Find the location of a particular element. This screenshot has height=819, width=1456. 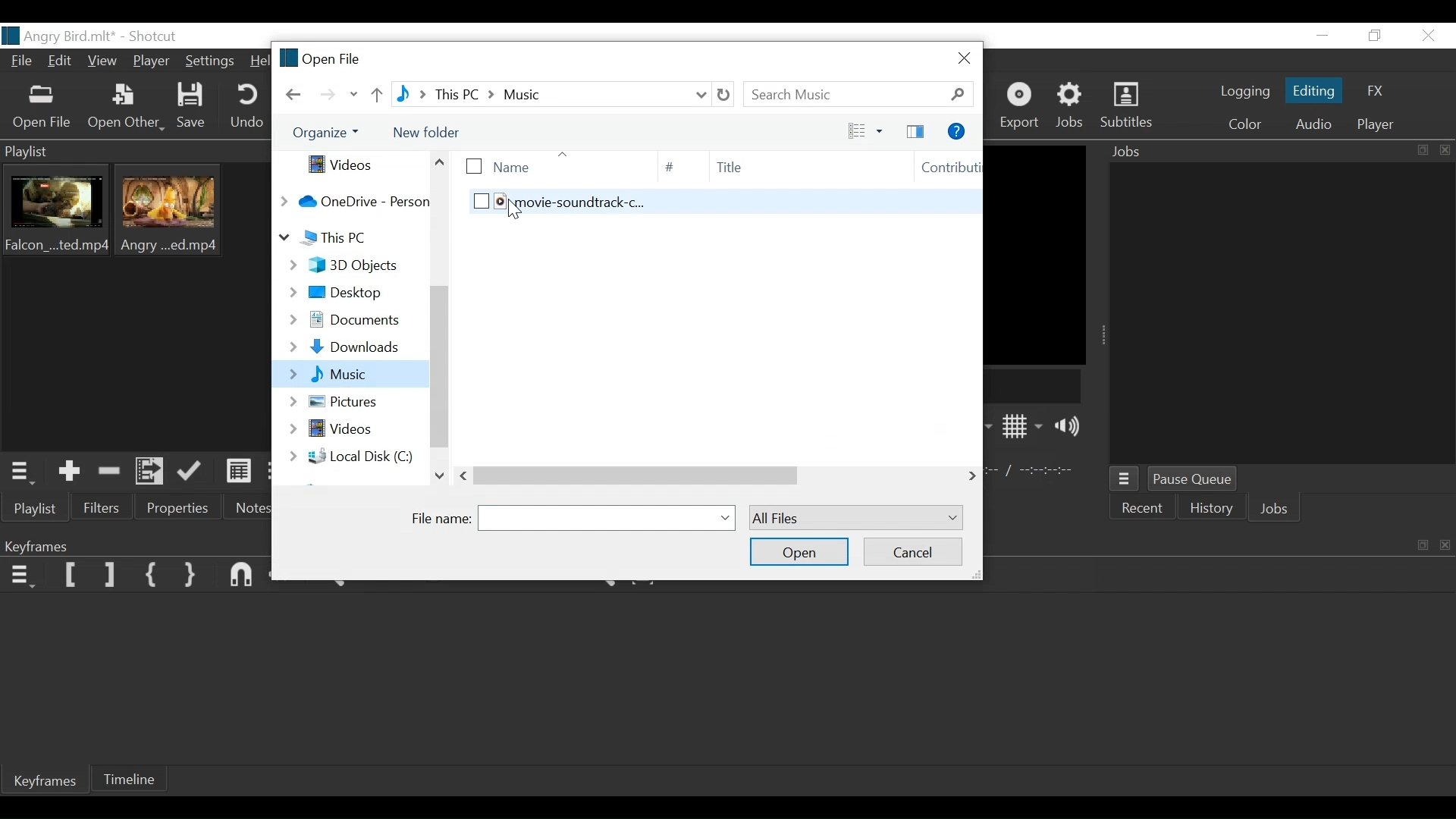

Keyframe menu is located at coordinates (20, 577).